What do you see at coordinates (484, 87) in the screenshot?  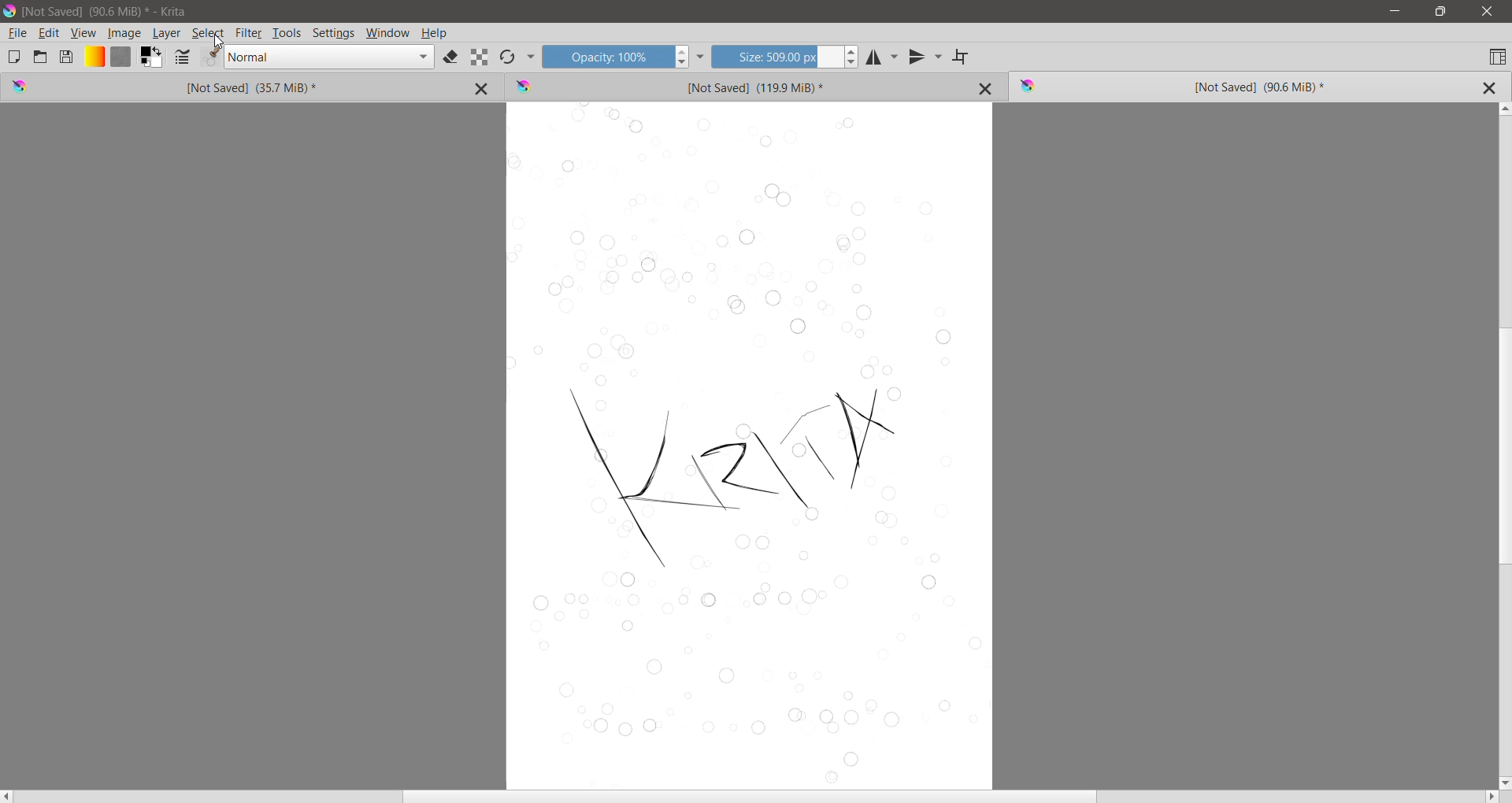 I see `Close Tab` at bounding box center [484, 87].